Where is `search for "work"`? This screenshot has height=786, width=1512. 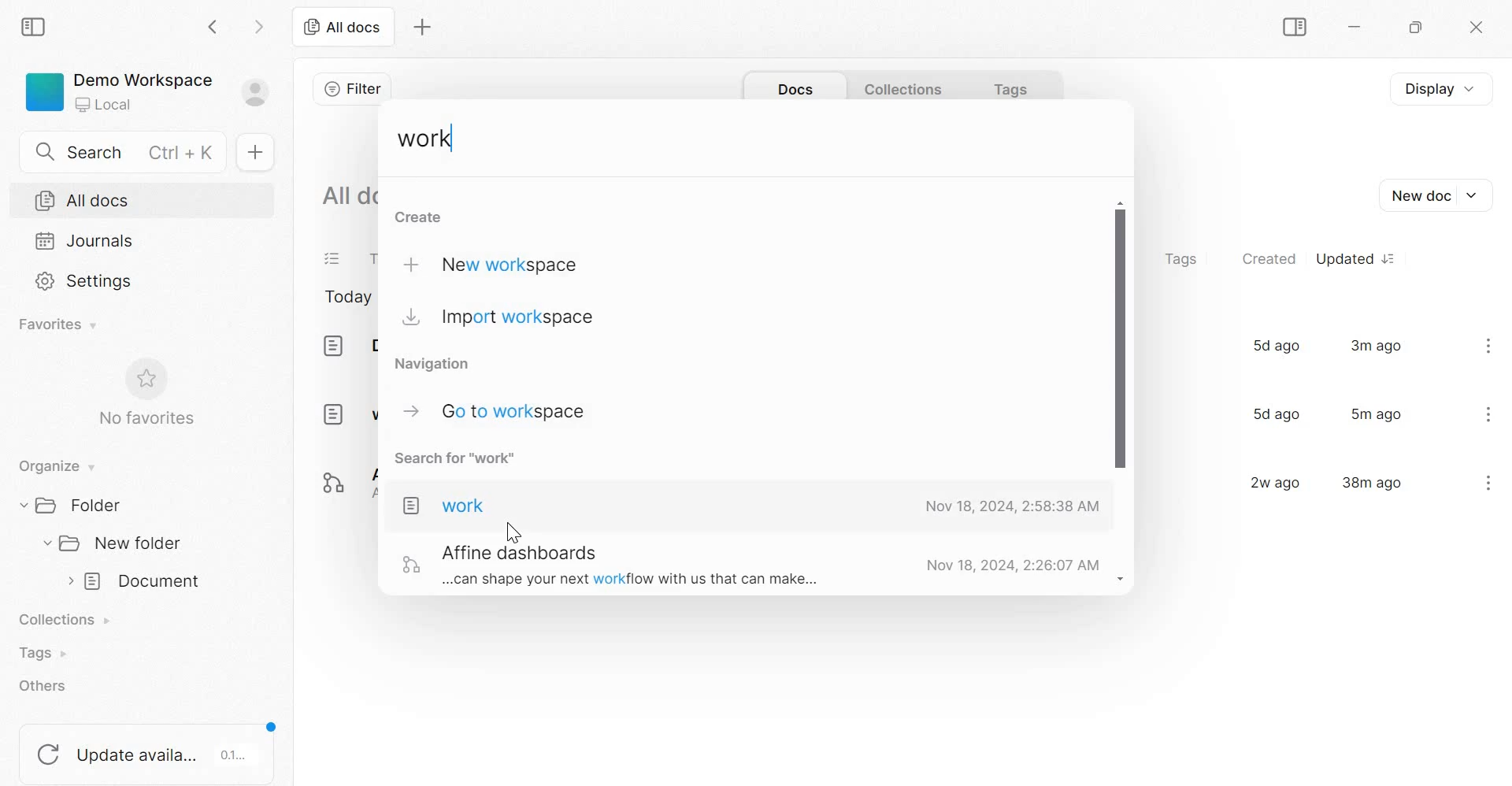
search for "work" is located at coordinates (467, 462).